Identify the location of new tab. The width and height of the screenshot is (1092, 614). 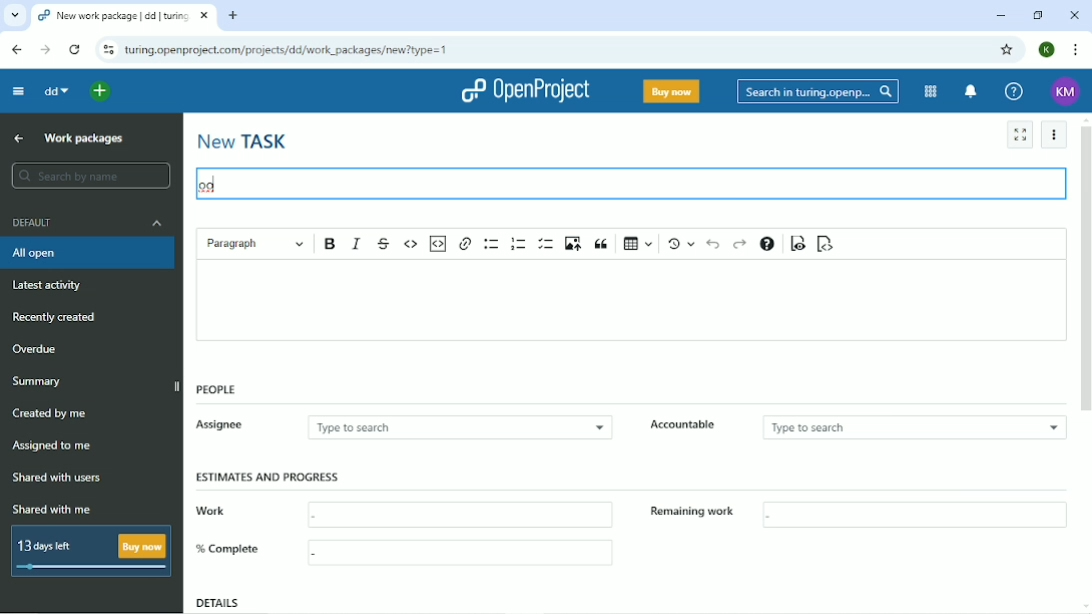
(238, 18).